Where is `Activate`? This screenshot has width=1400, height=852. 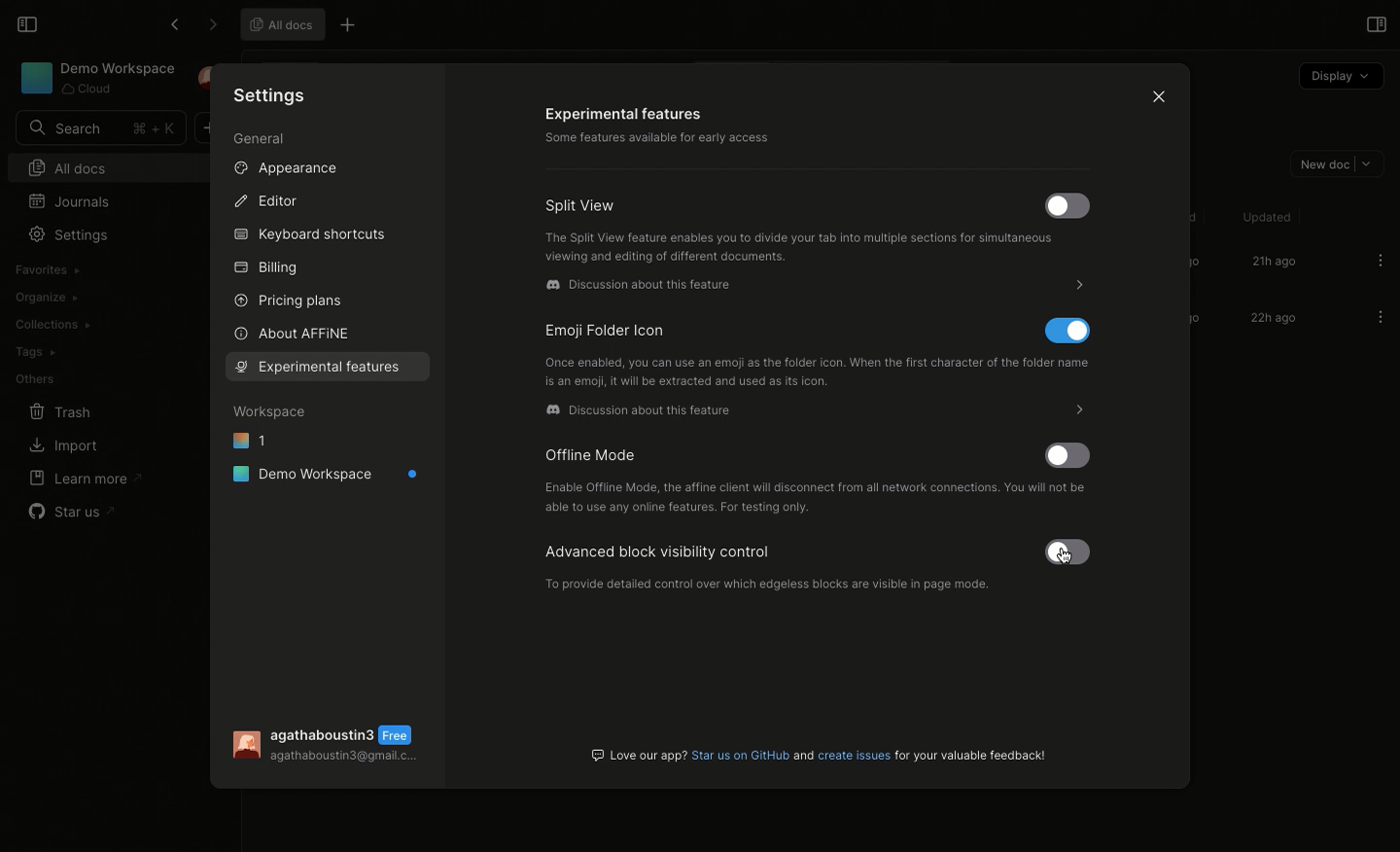 Activate is located at coordinates (1069, 458).